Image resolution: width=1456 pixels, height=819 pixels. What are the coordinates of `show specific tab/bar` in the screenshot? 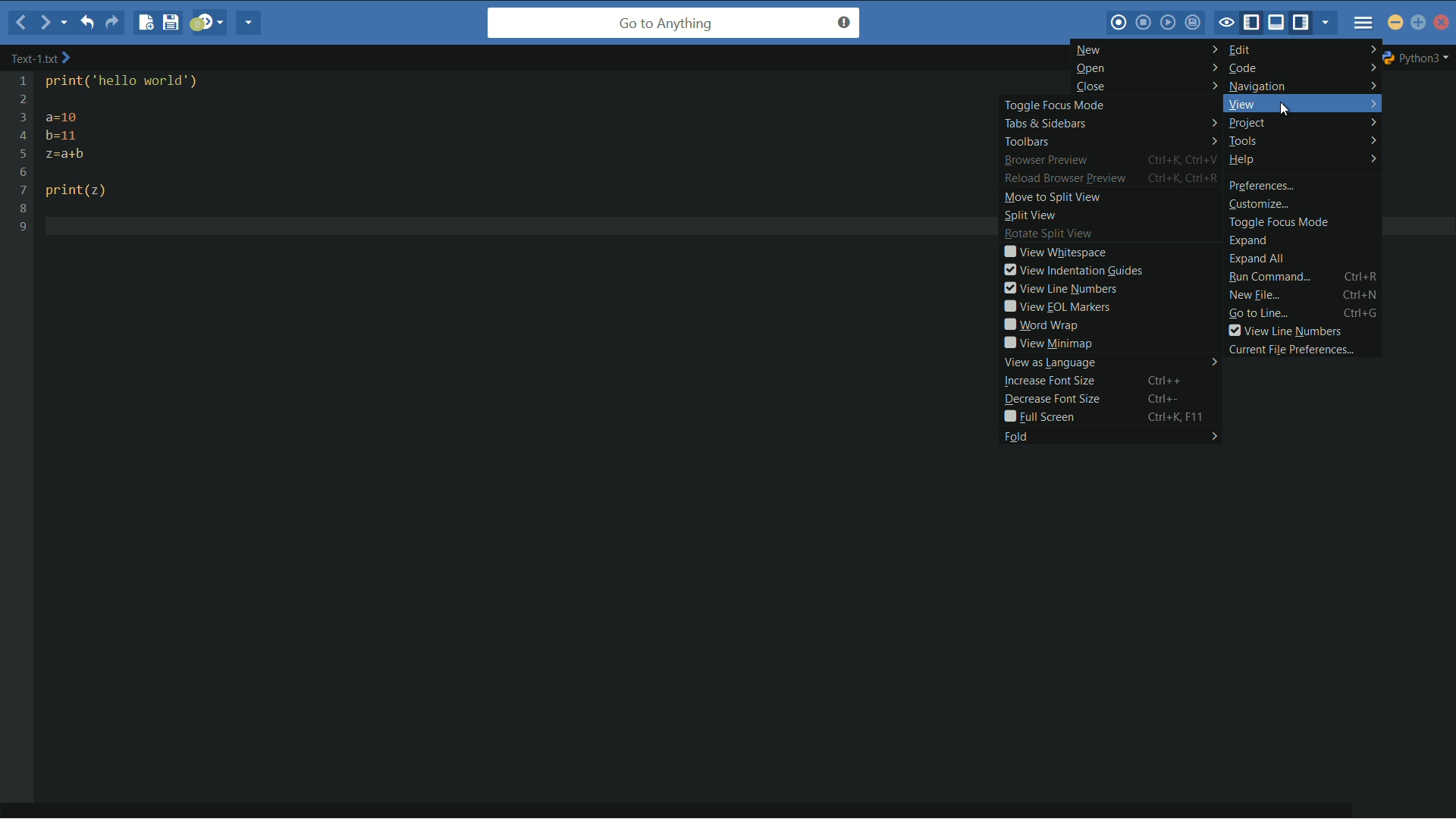 It's located at (1327, 24).